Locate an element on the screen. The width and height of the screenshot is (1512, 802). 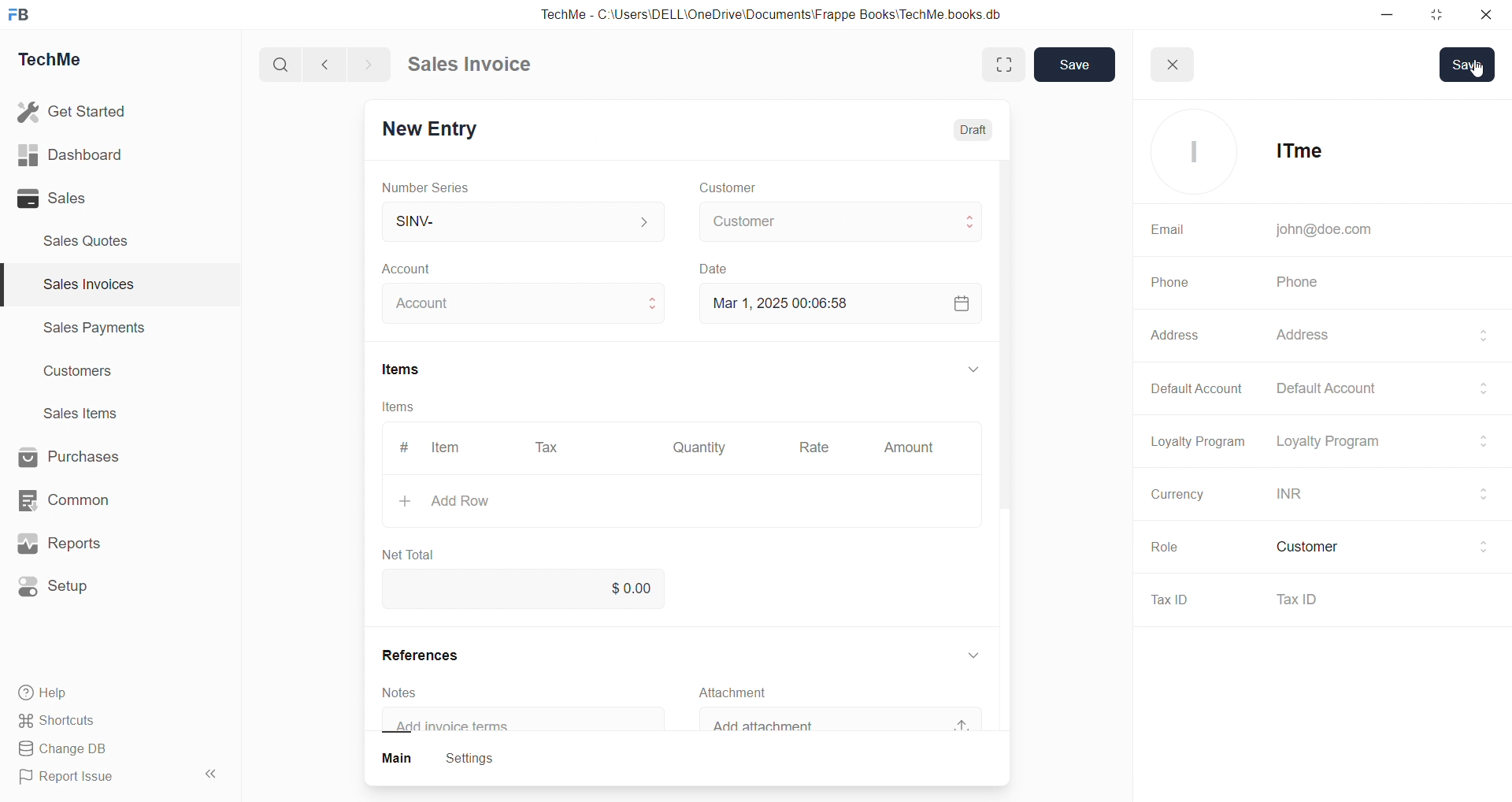
Search buton is located at coordinates (283, 65).